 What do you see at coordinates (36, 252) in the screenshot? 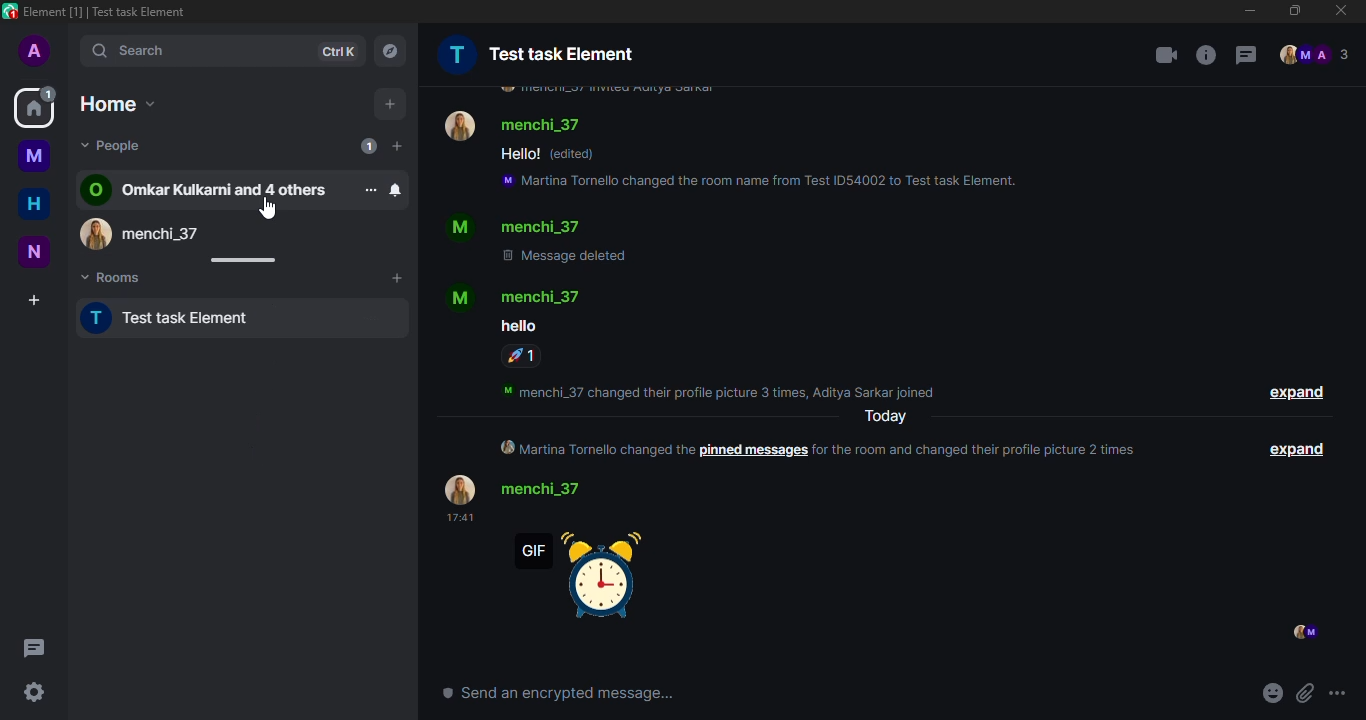
I see `new` at bounding box center [36, 252].